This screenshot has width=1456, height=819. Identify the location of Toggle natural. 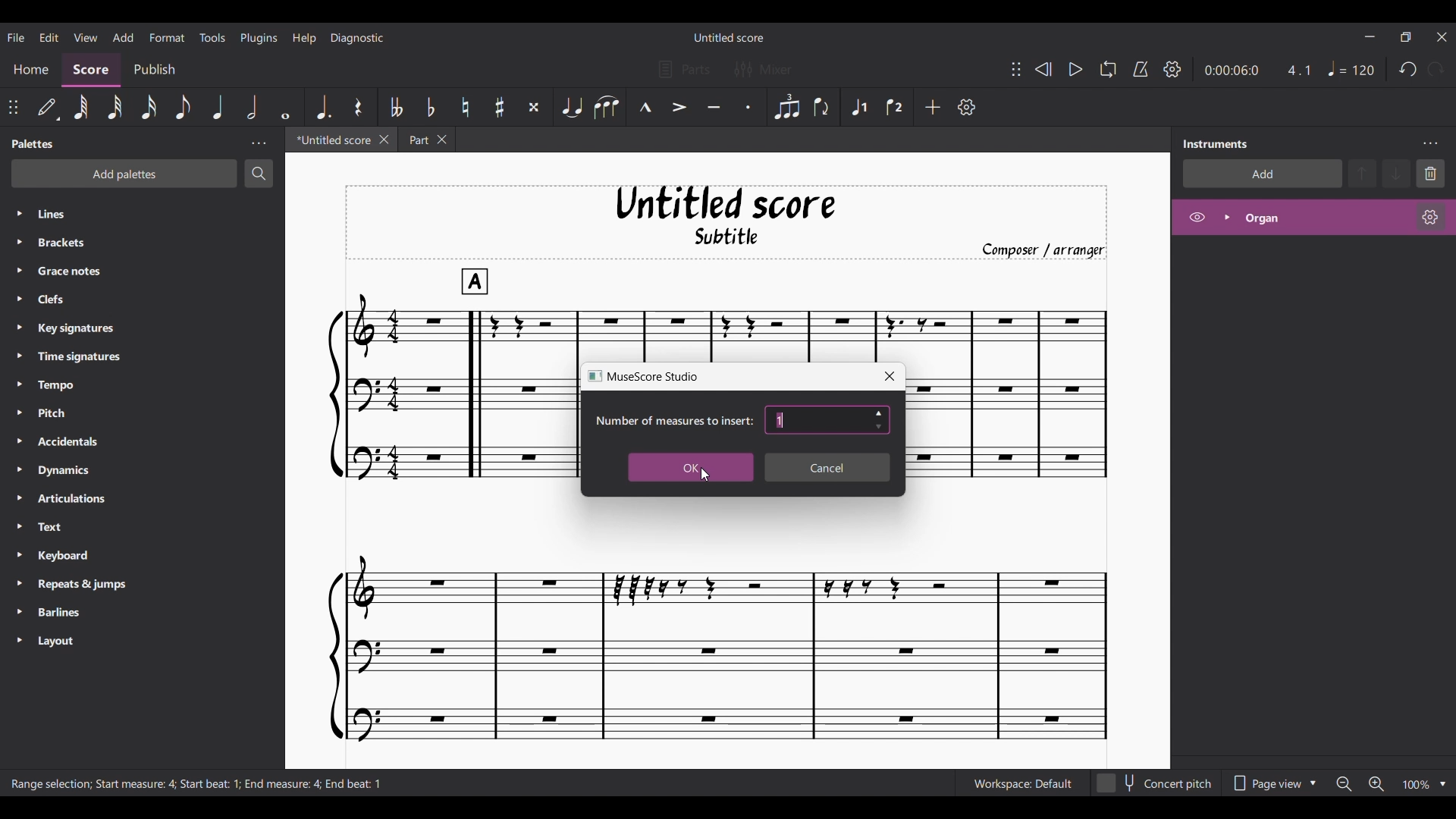
(466, 107).